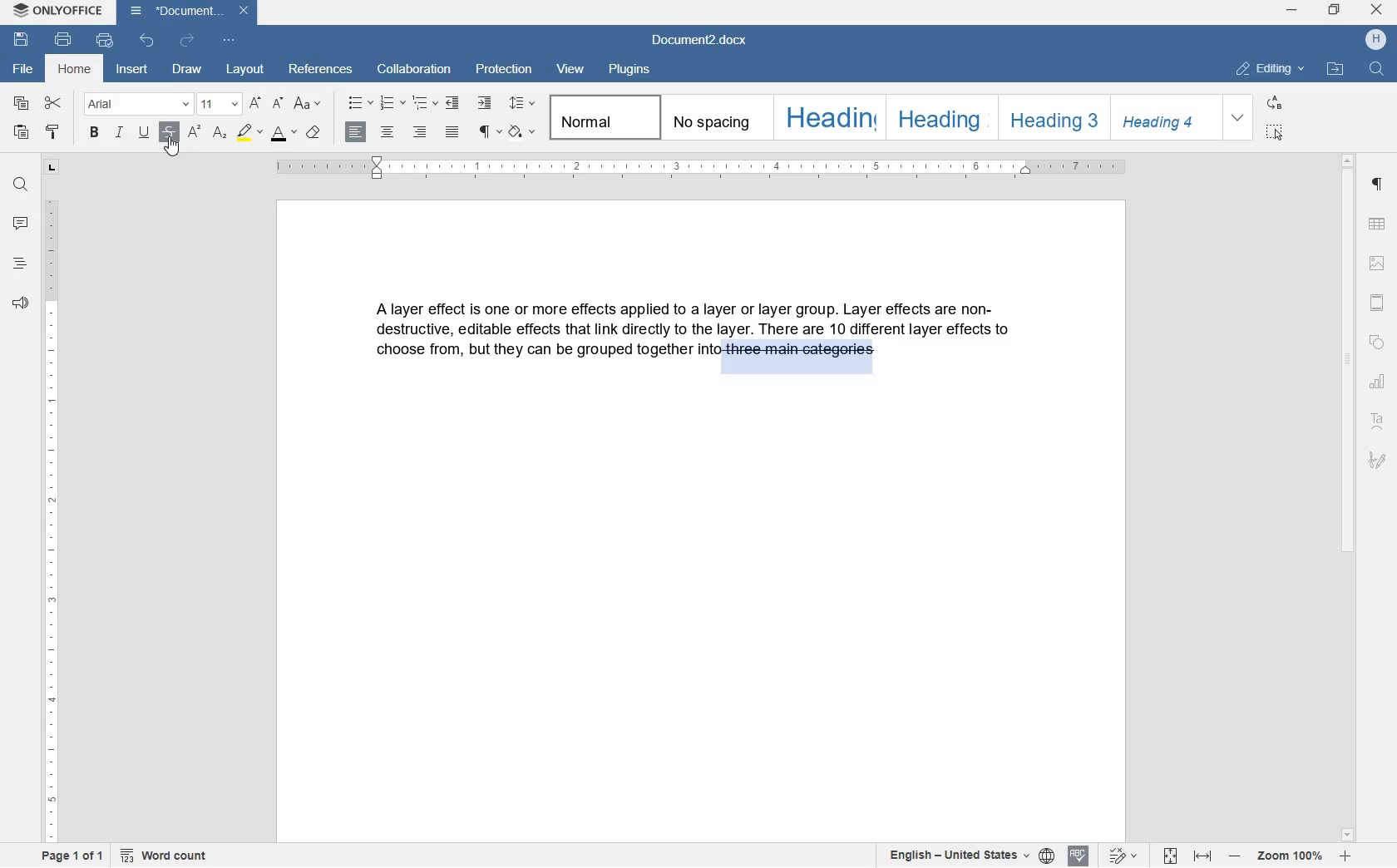  Describe the element at coordinates (486, 101) in the screenshot. I see `increase indent` at that location.